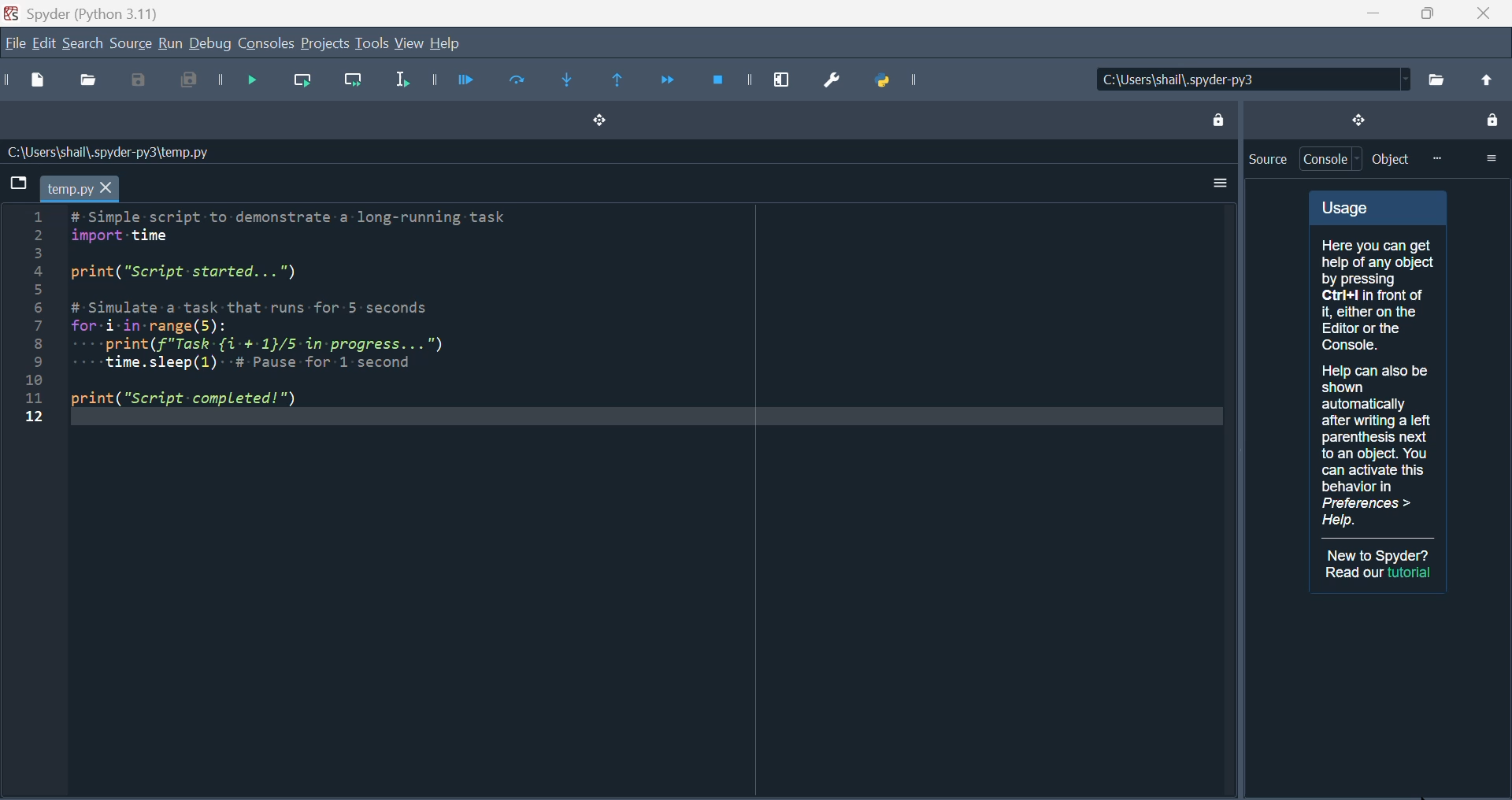 The height and width of the screenshot is (800, 1512). Describe the element at coordinates (575, 83) in the screenshot. I see `Step into function` at that location.